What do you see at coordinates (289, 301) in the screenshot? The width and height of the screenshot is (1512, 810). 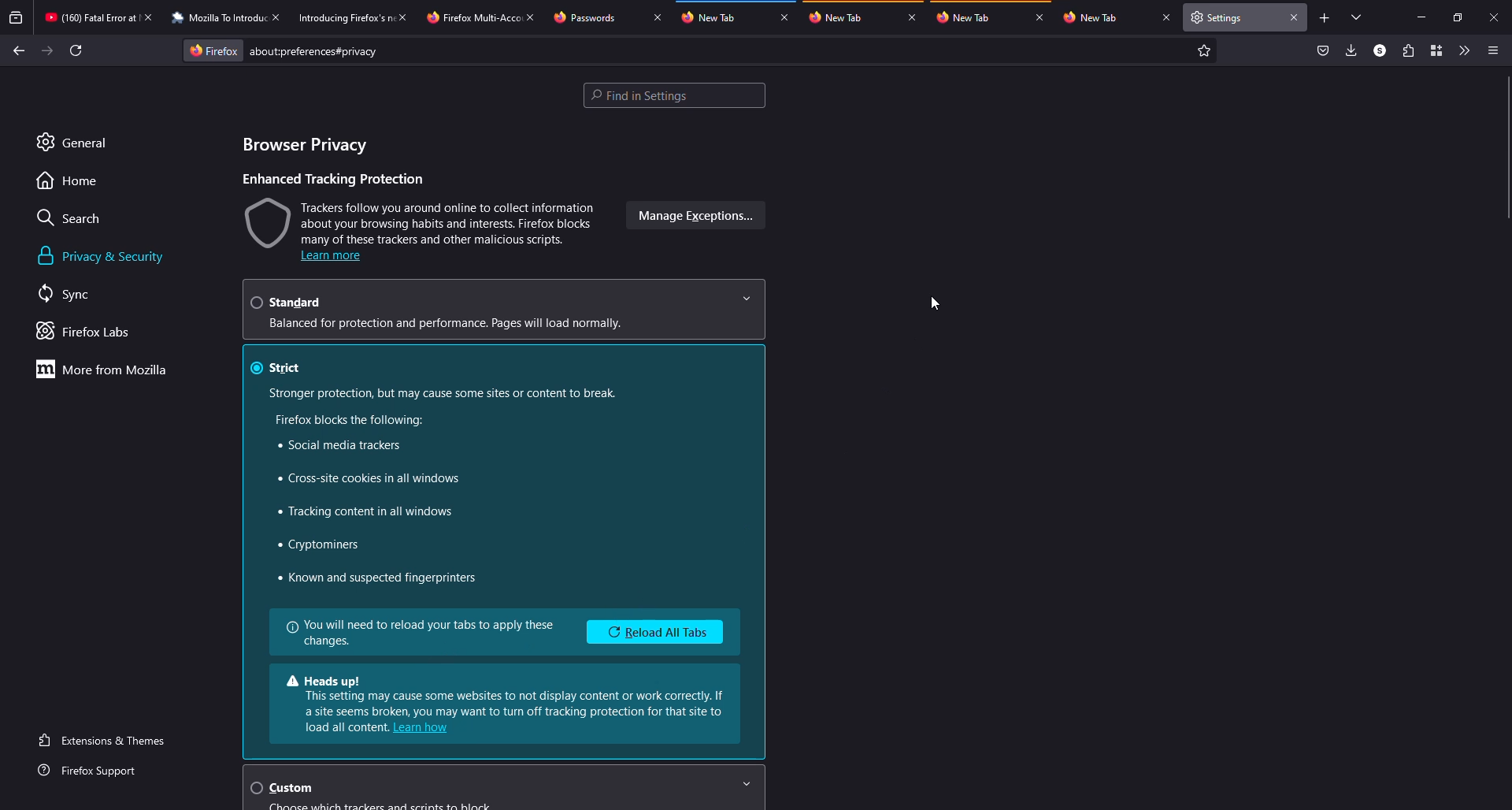 I see `standard ` at bounding box center [289, 301].